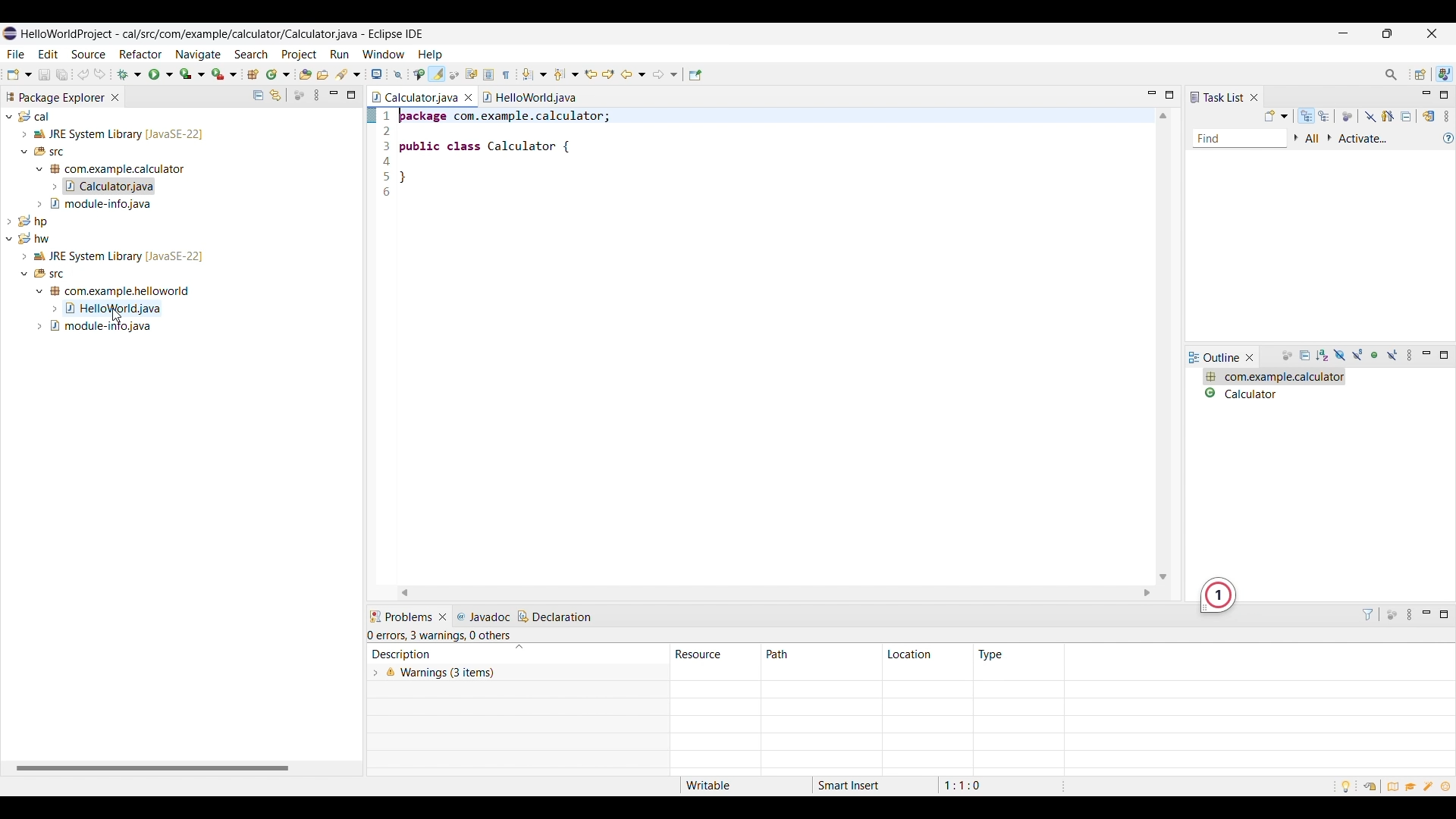 The image size is (1456, 819). I want to click on Undo, so click(99, 74).